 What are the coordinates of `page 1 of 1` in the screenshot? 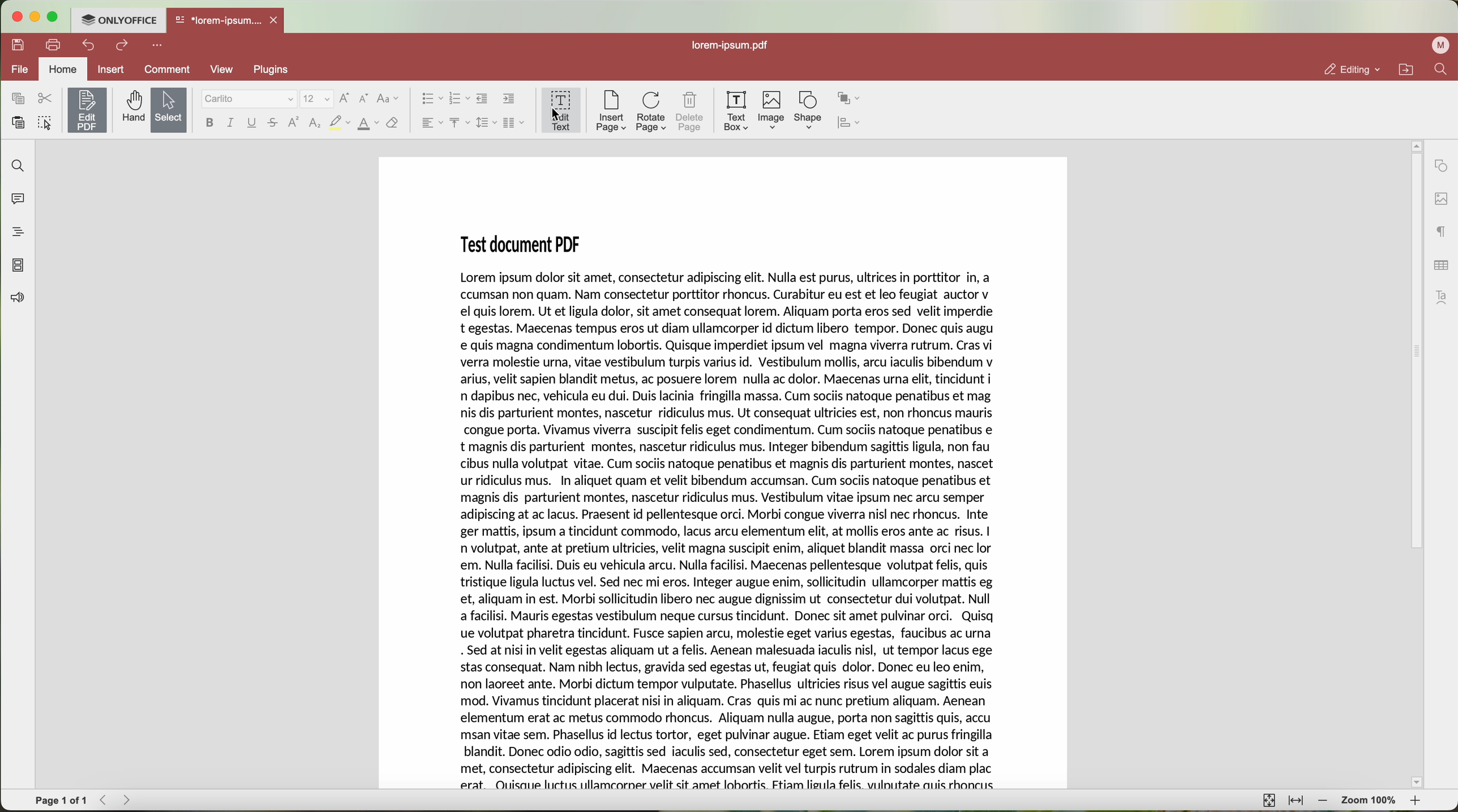 It's located at (60, 802).